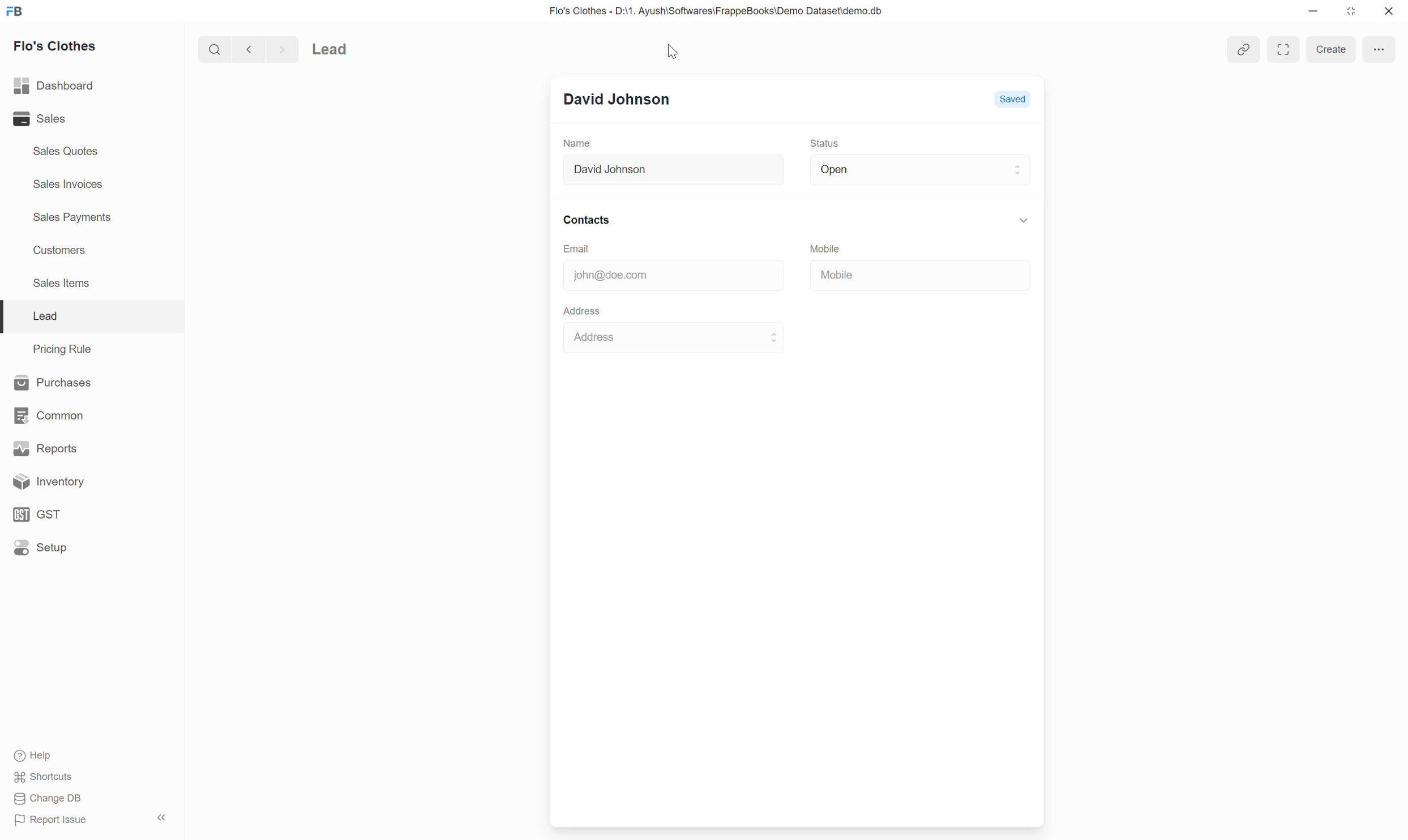  What do you see at coordinates (1331, 49) in the screenshot?
I see `create` at bounding box center [1331, 49].